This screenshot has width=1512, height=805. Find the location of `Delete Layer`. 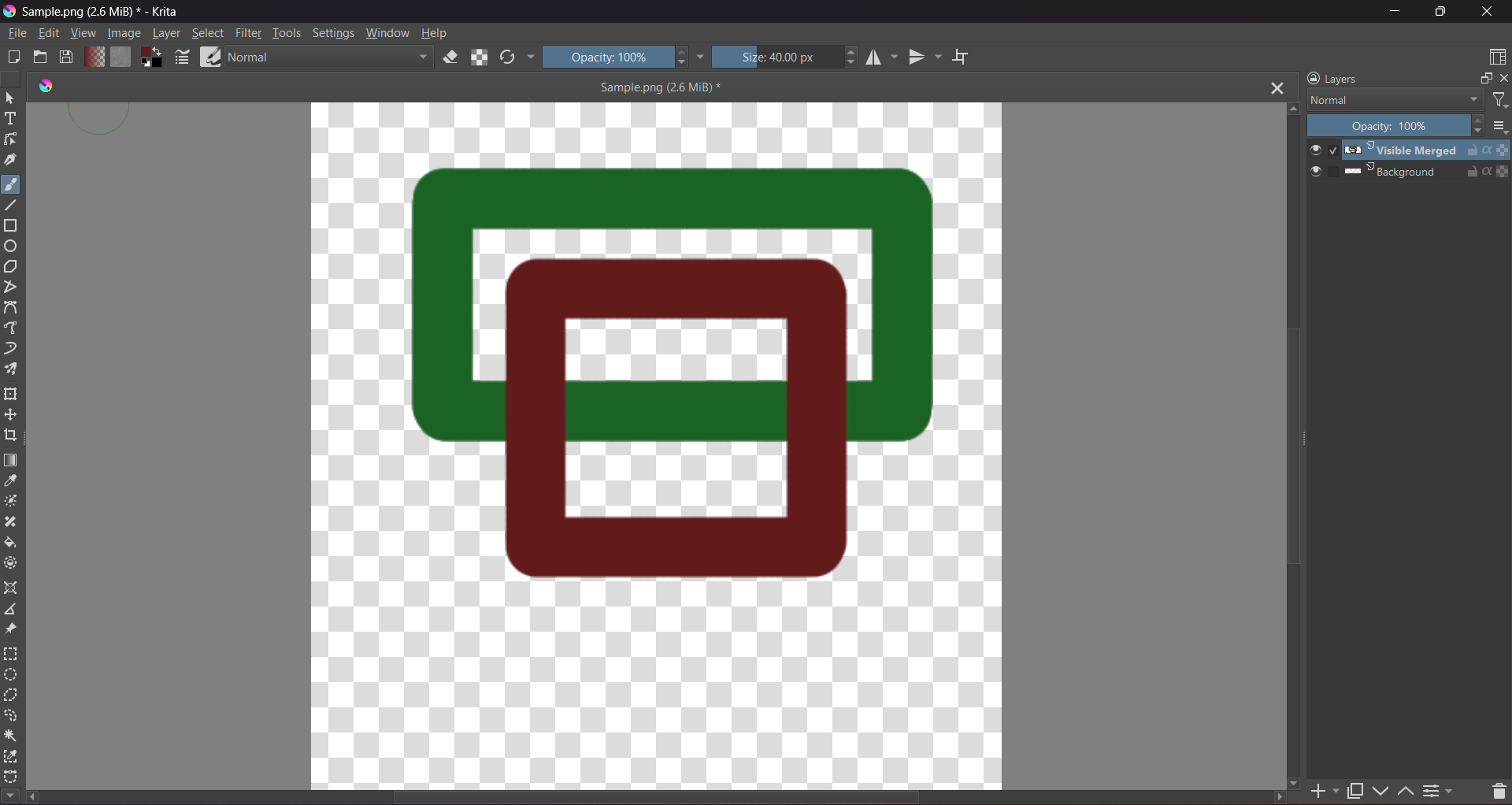

Delete Layer is located at coordinates (1492, 787).